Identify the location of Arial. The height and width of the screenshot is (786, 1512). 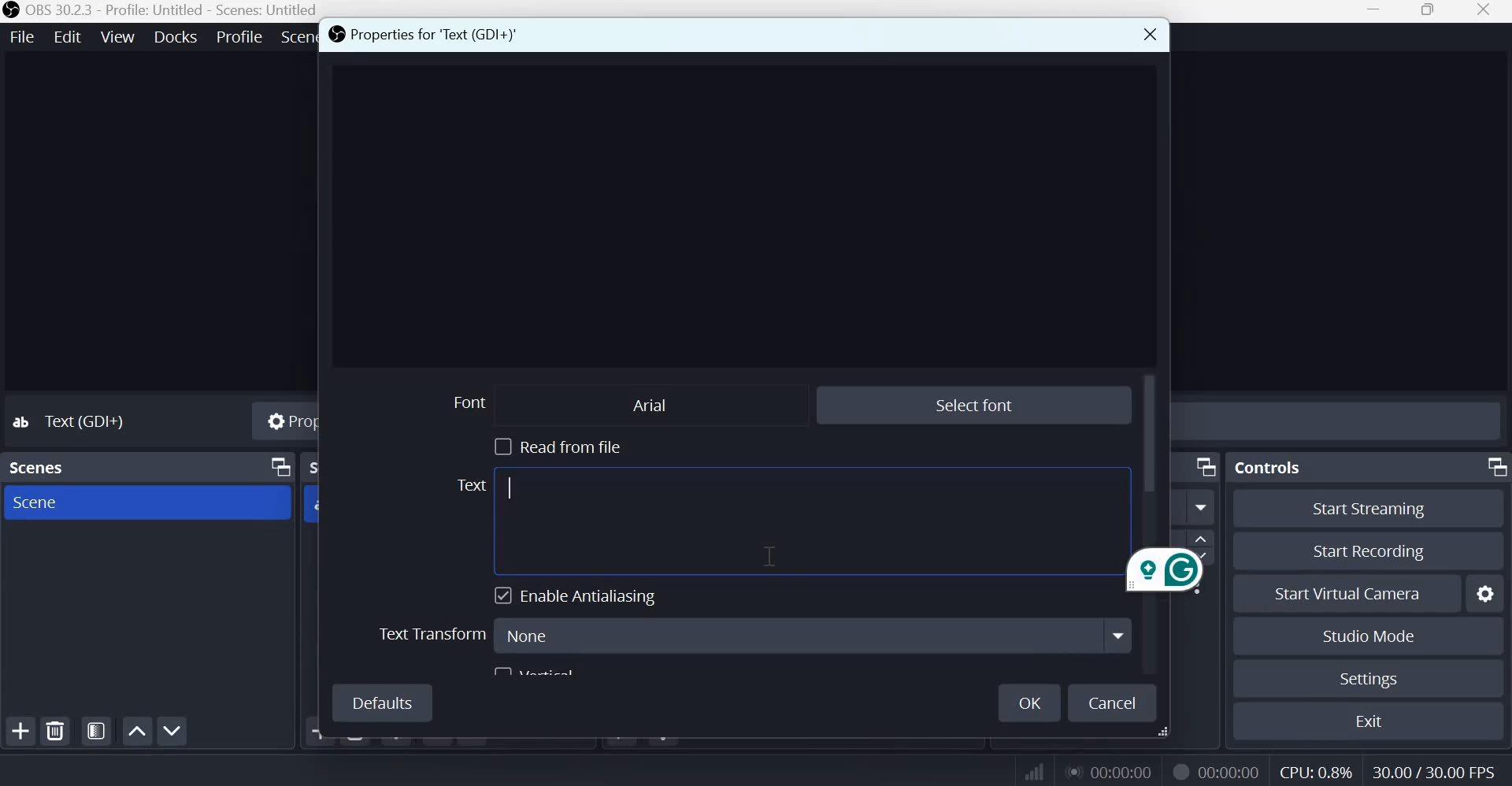
(645, 404).